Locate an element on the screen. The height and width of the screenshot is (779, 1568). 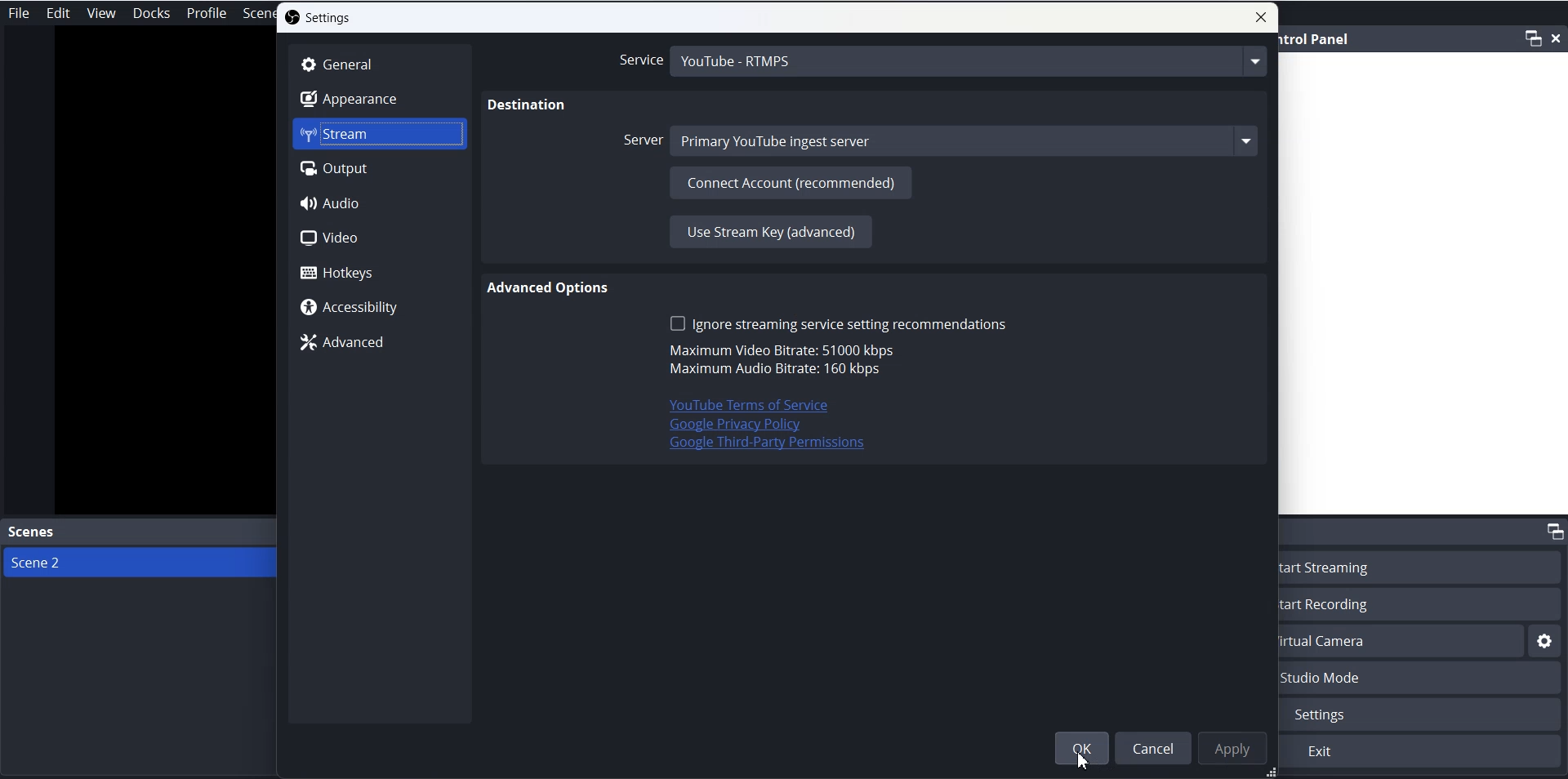
control panel is located at coordinates (1317, 39).